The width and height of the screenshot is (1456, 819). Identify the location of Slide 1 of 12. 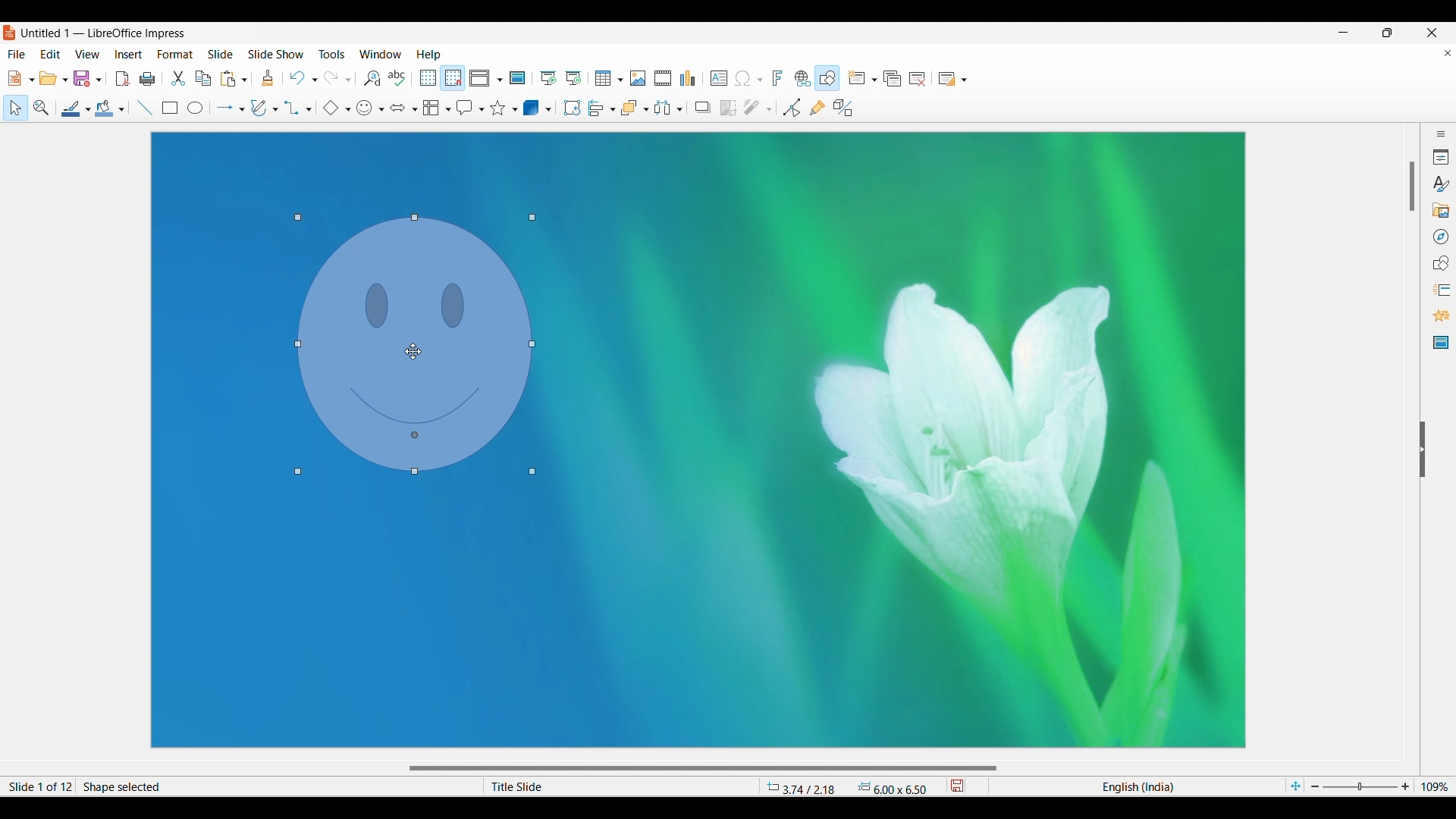
(38, 786).